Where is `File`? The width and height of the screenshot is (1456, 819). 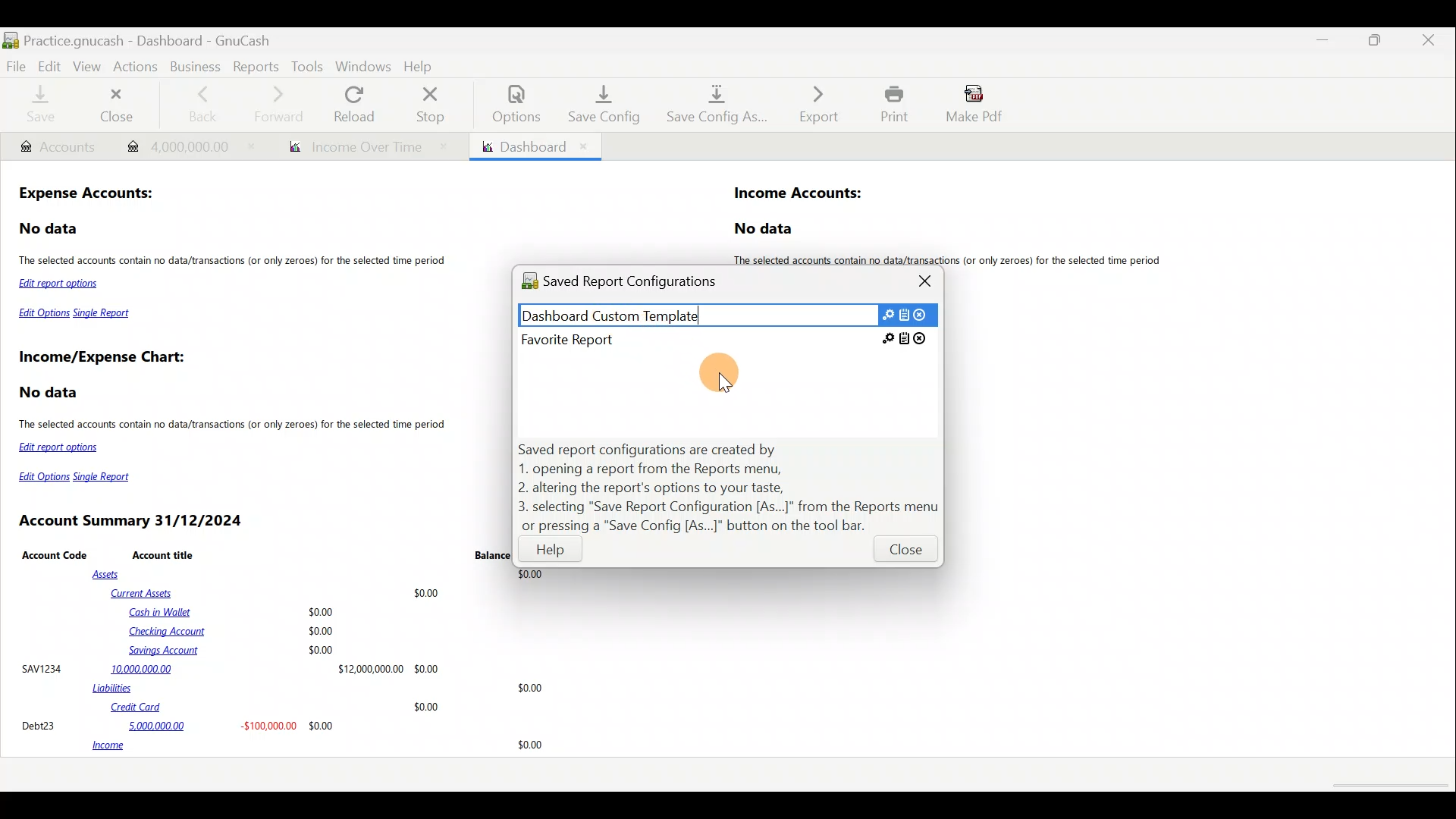
File is located at coordinates (17, 65).